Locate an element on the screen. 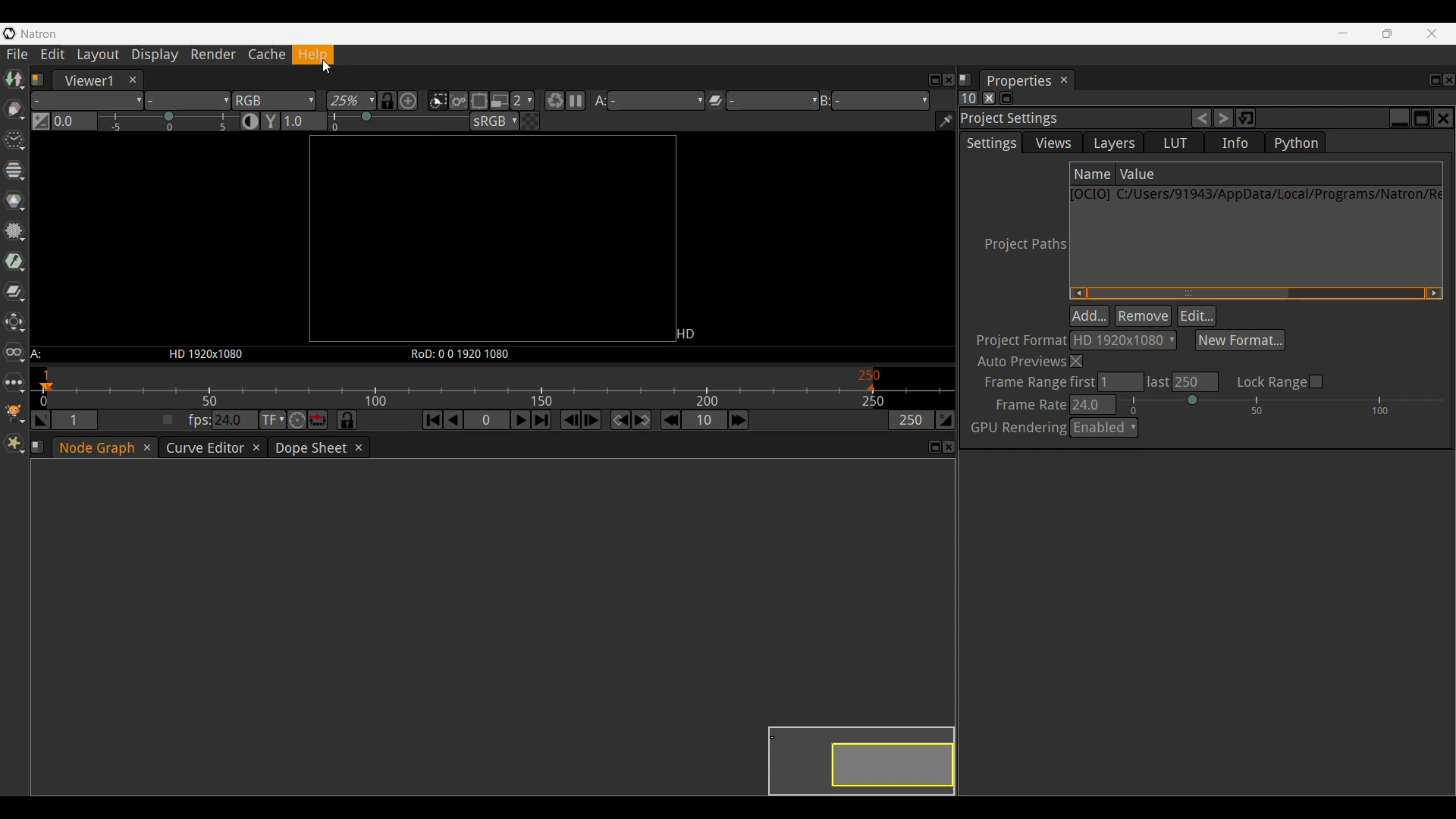 Image resolution: width=1456 pixels, height=819 pixels. Framerate scale is located at coordinates (458, 386).